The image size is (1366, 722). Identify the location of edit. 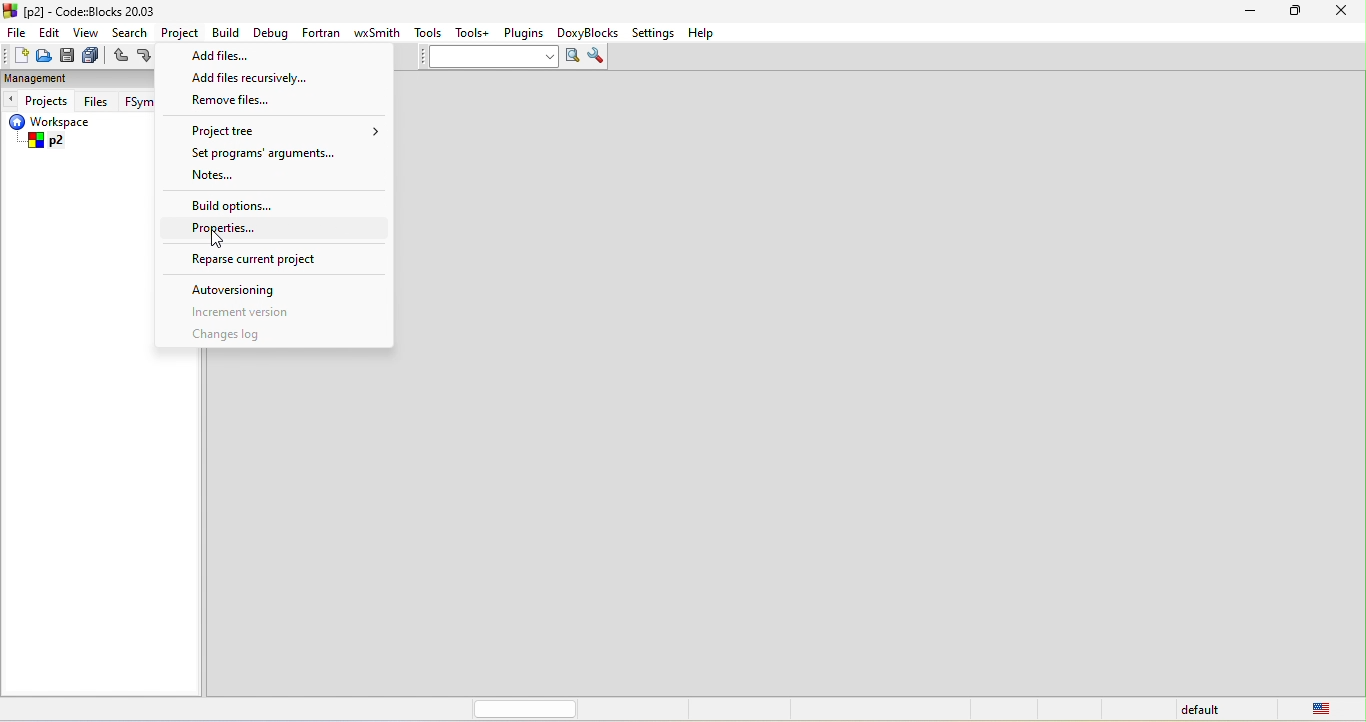
(51, 34).